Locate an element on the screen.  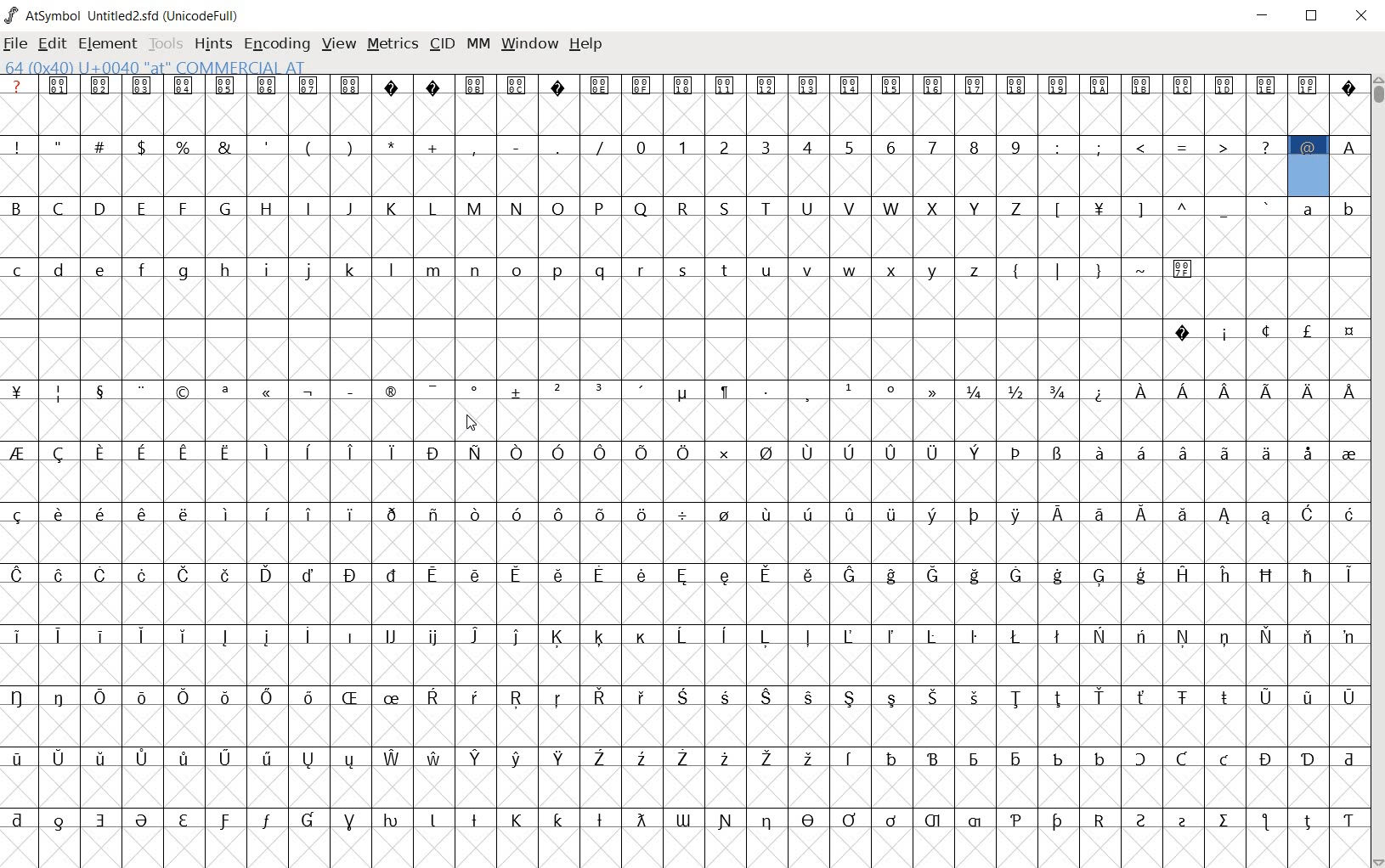
empty glyph slots is located at coordinates (682, 421).